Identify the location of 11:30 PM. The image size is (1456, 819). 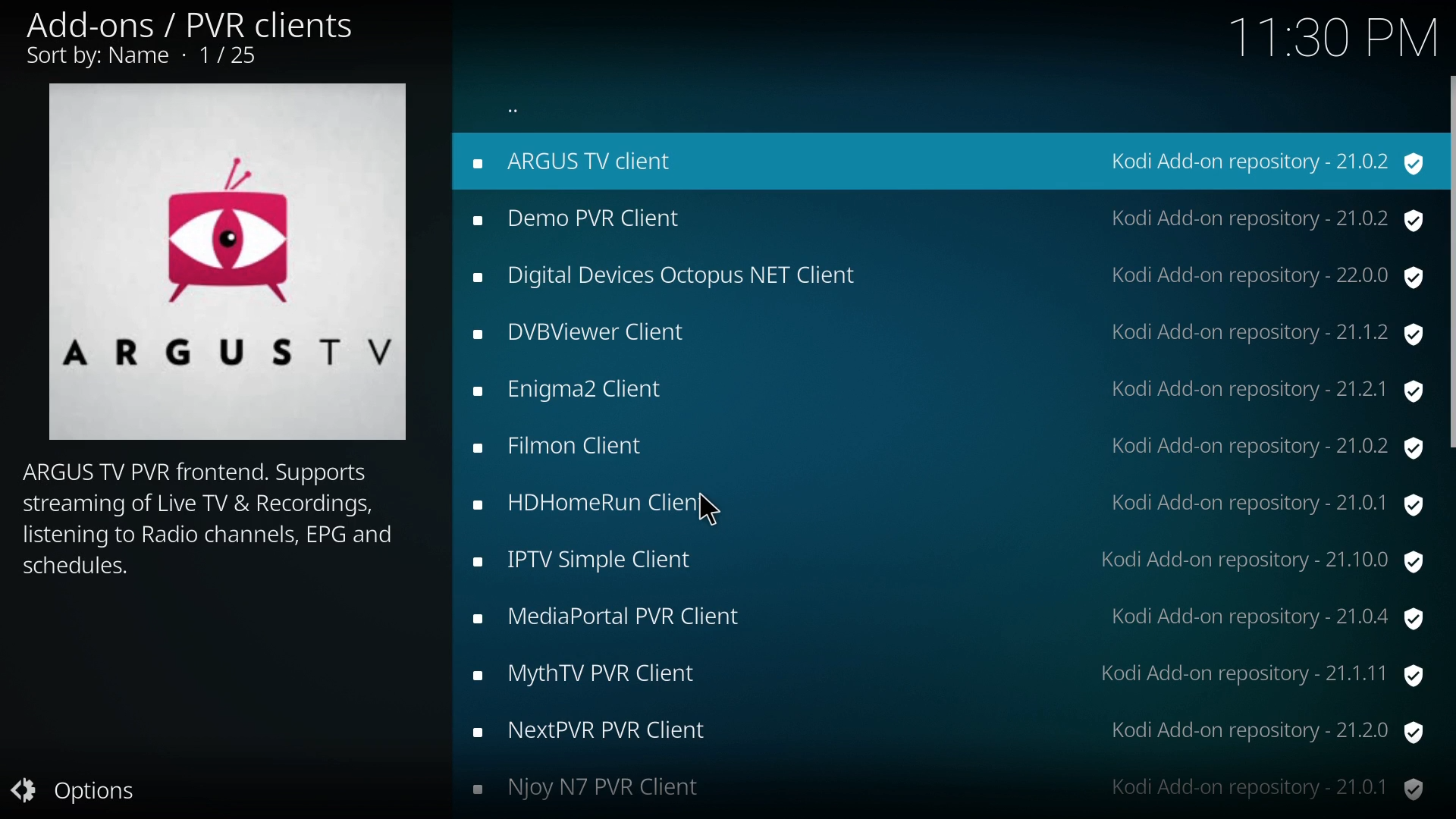
(1332, 36).